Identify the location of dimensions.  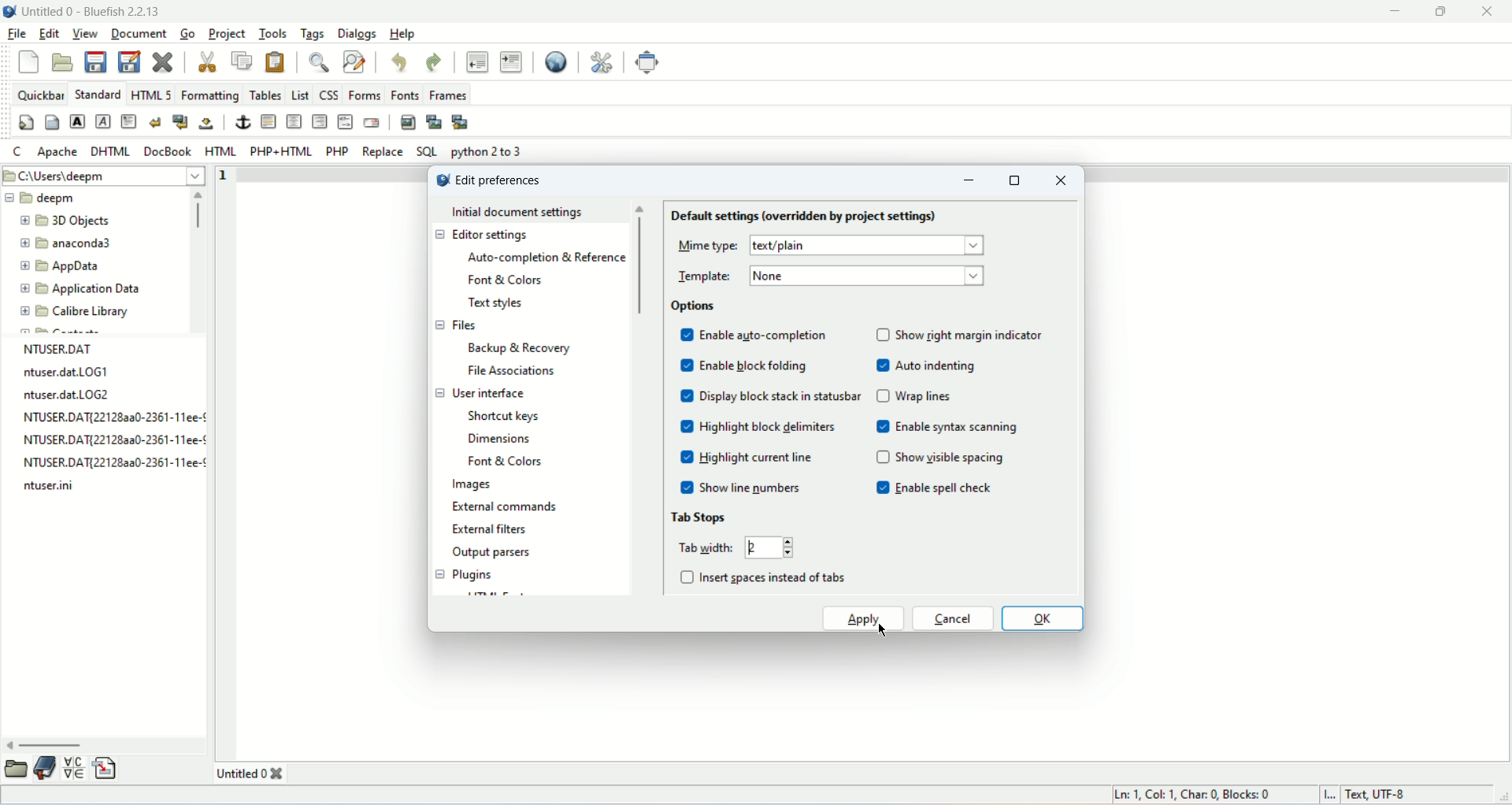
(499, 438).